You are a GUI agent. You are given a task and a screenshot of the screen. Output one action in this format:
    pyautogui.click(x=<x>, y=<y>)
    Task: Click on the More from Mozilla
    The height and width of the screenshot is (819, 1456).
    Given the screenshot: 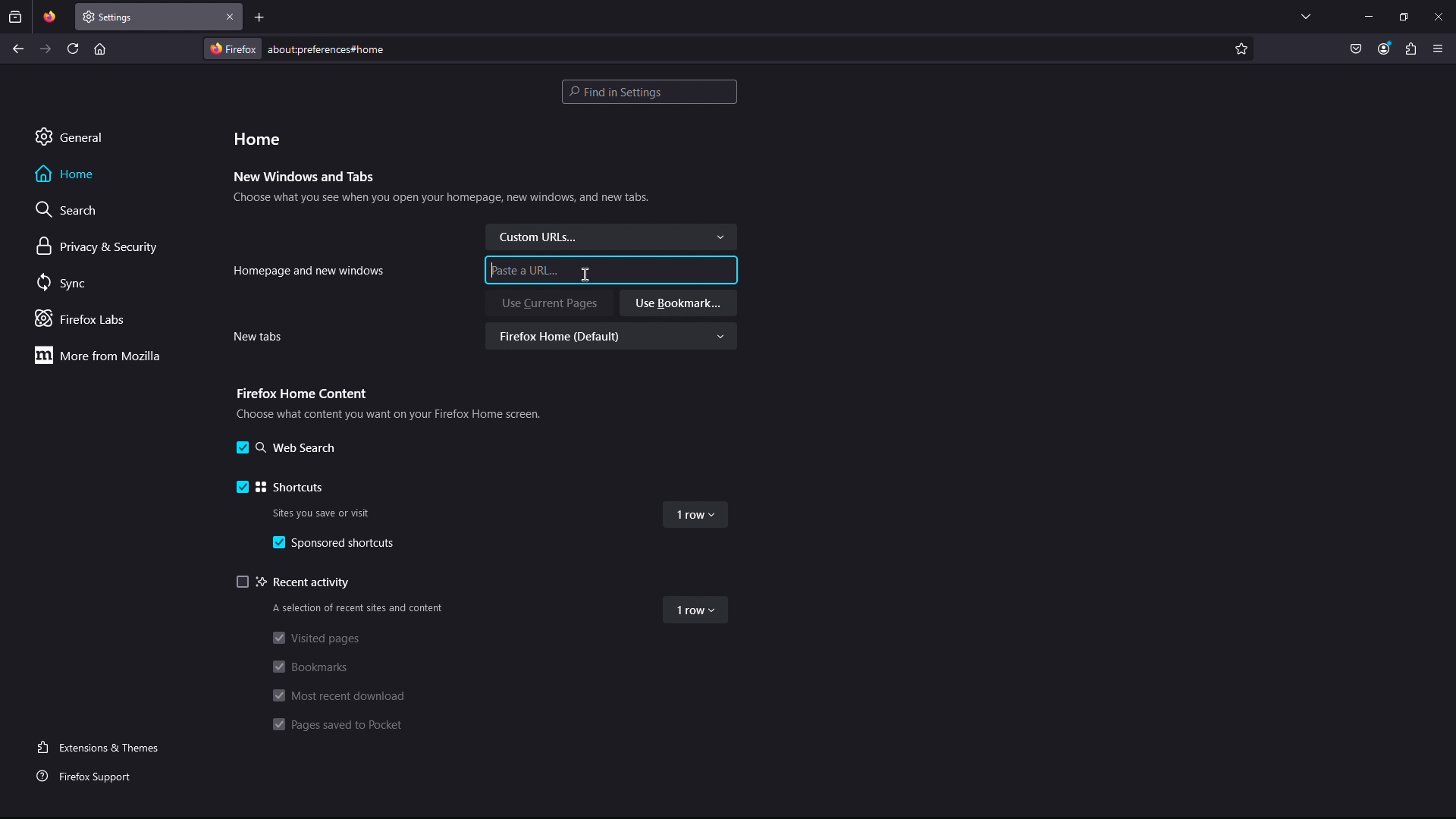 What is the action you would take?
    pyautogui.click(x=96, y=355)
    